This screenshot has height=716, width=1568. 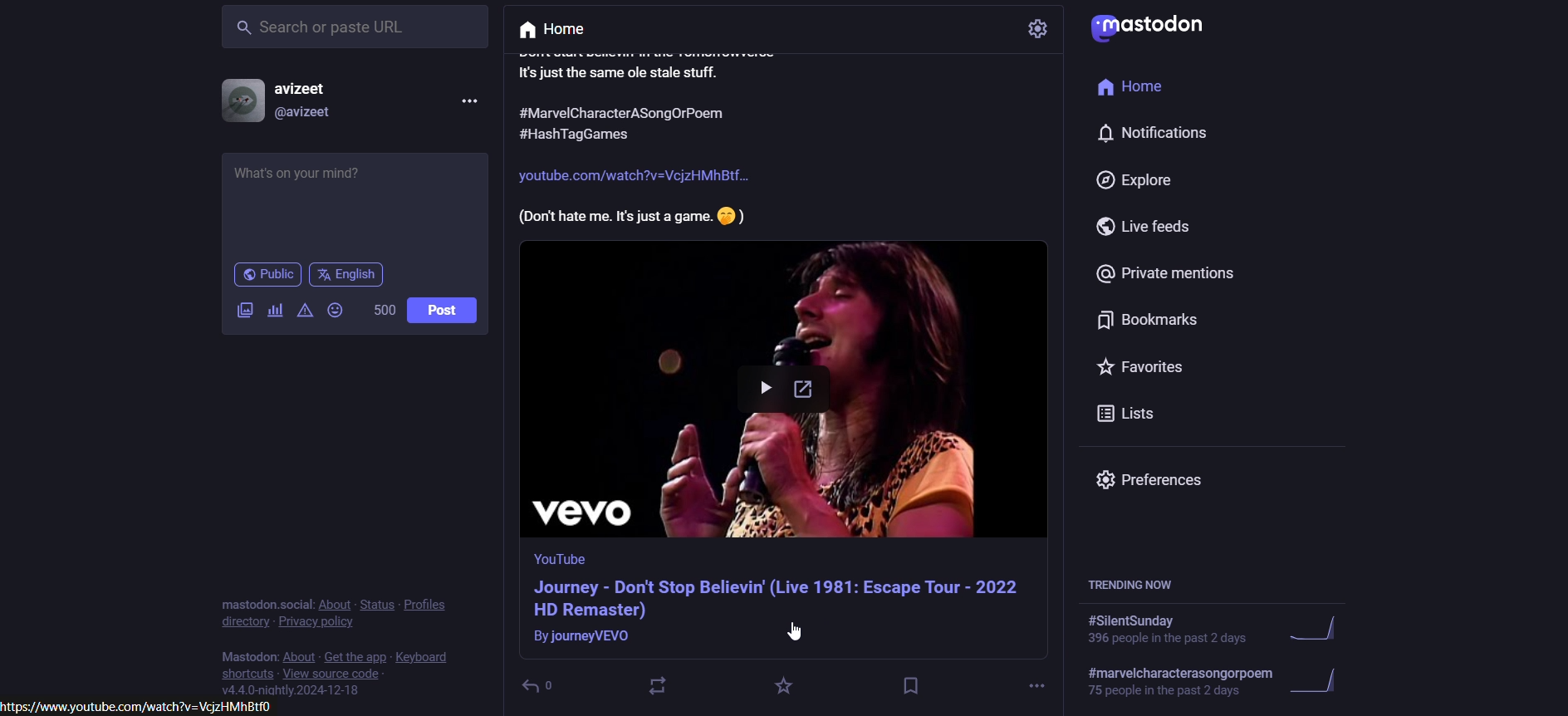 What do you see at coordinates (428, 605) in the screenshot?
I see `profile` at bounding box center [428, 605].